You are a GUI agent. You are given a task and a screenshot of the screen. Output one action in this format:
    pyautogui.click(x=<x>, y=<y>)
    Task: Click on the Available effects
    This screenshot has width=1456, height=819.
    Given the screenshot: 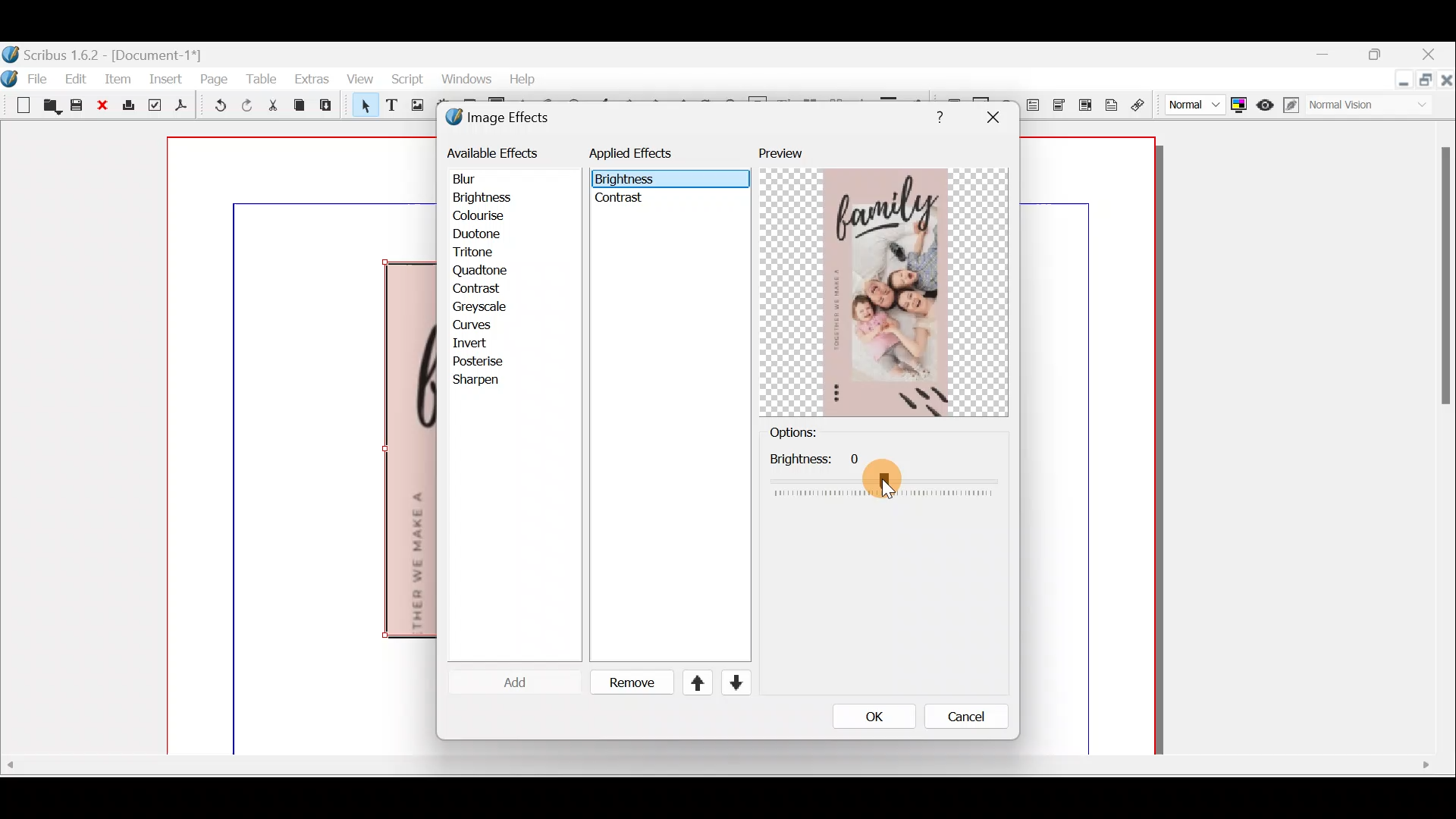 What is the action you would take?
    pyautogui.click(x=495, y=152)
    